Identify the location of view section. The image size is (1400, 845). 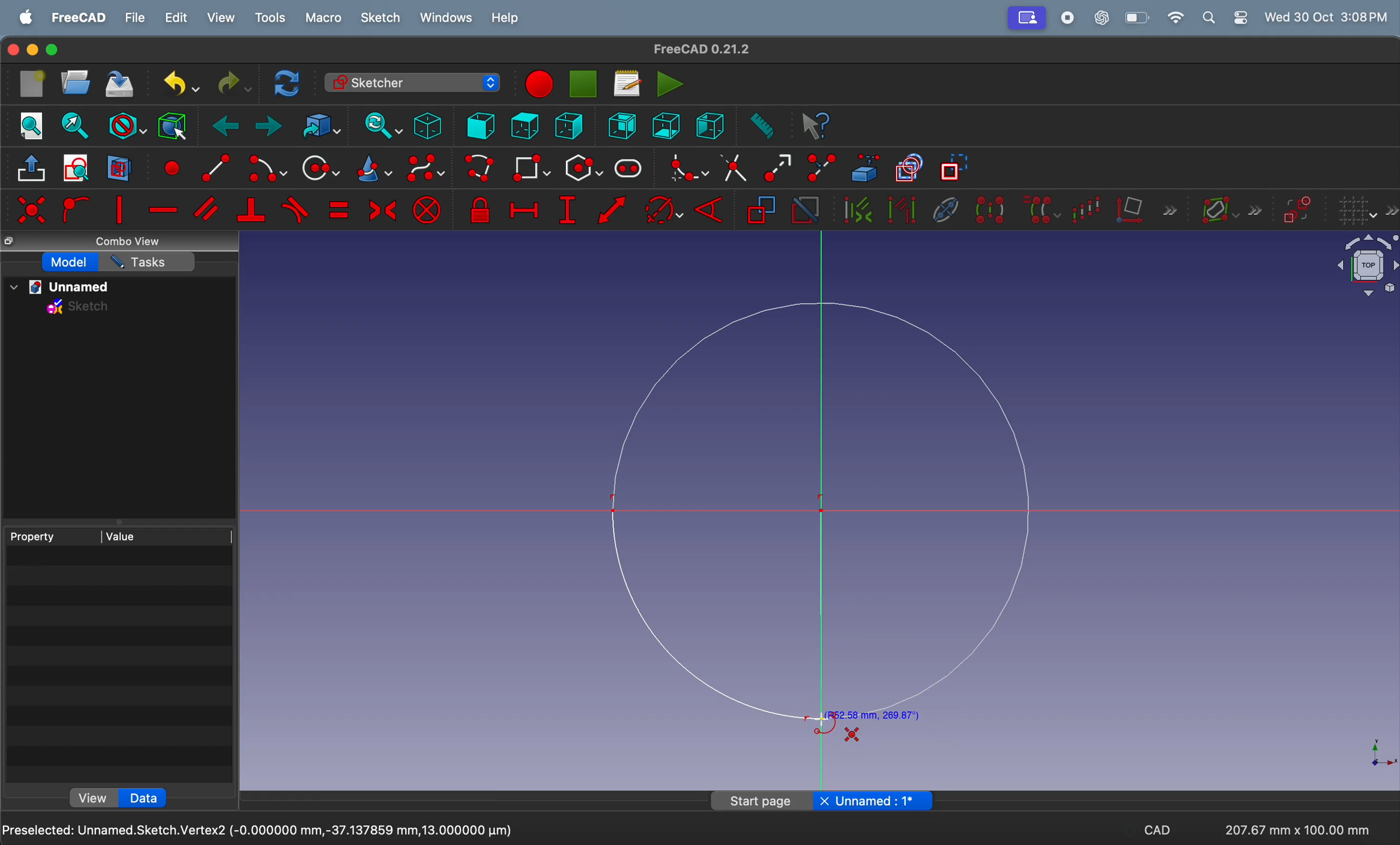
(119, 168).